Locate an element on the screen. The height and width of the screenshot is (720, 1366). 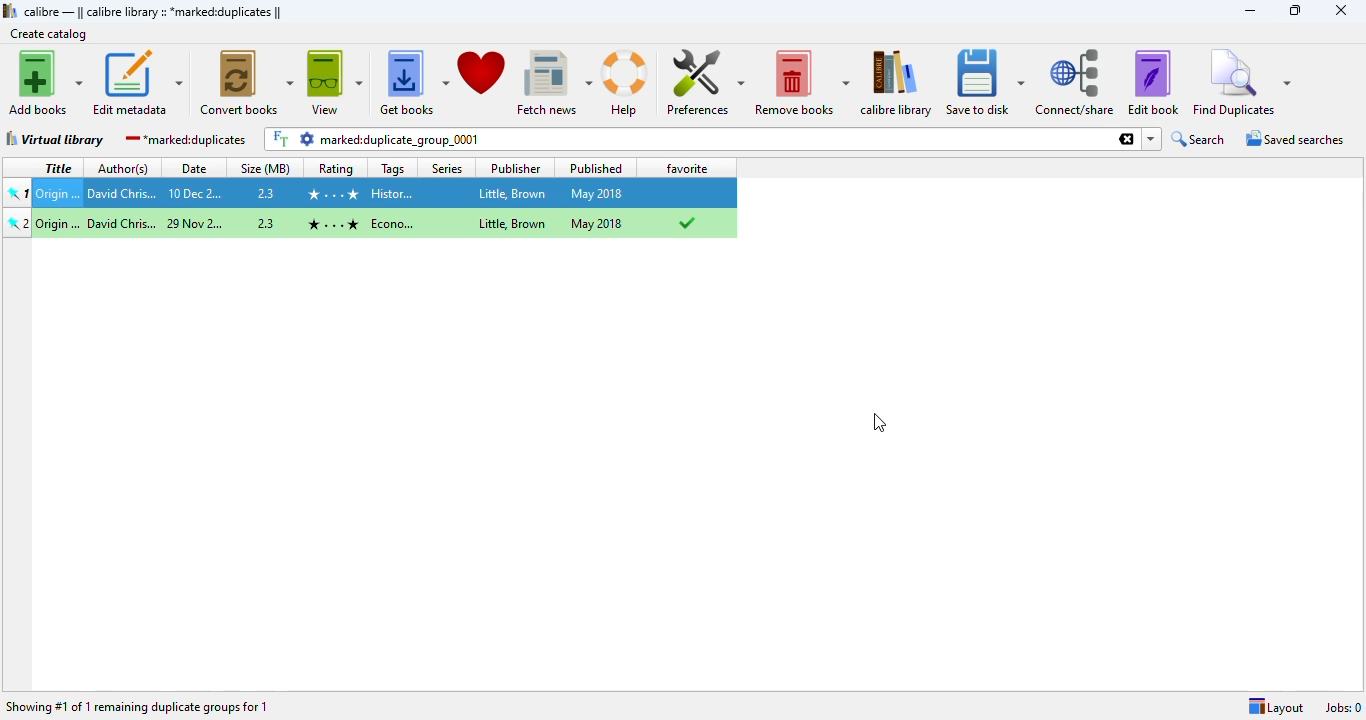
convert books is located at coordinates (244, 83).